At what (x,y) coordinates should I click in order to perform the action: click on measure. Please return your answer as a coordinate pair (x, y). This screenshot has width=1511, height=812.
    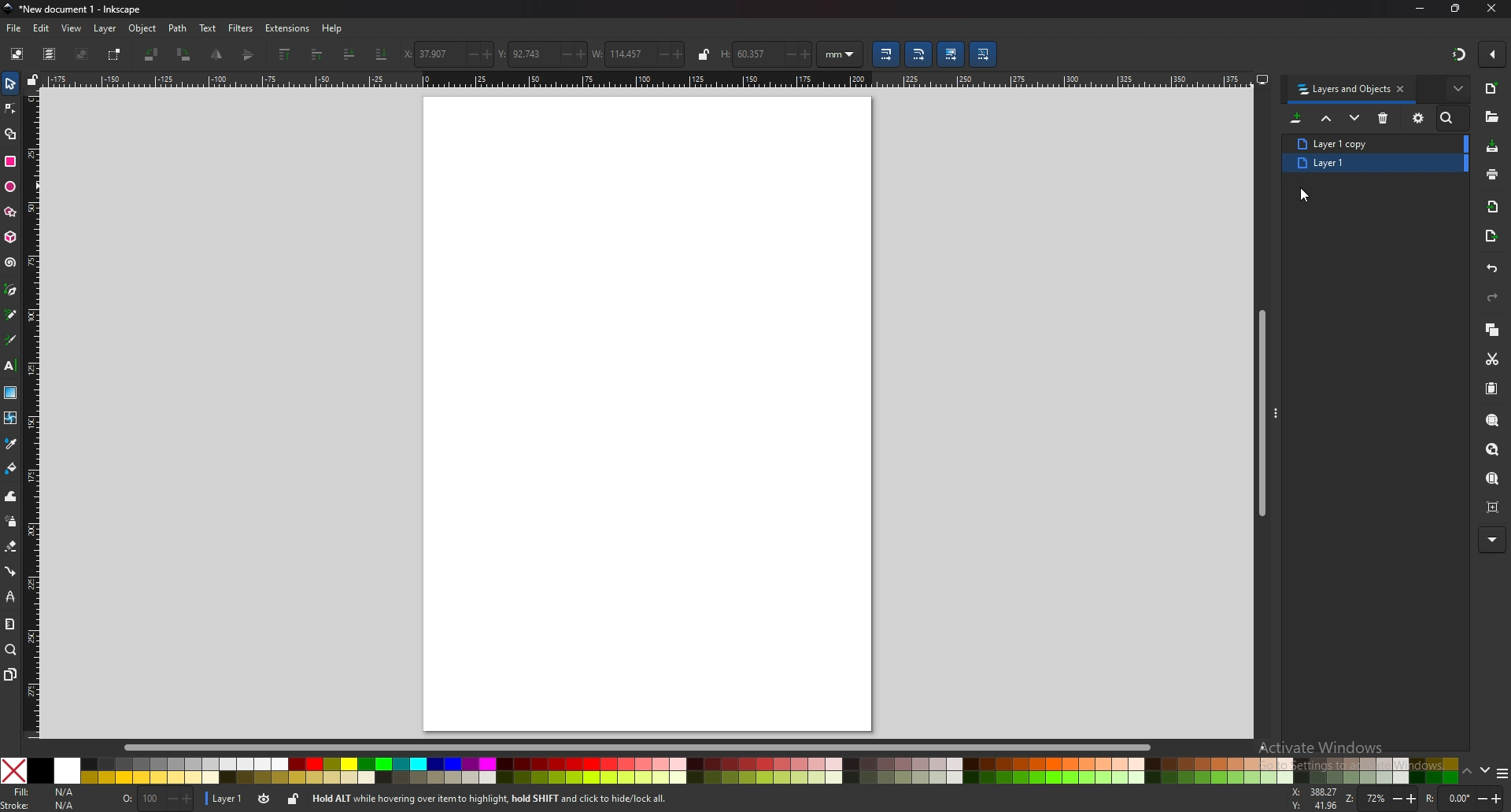
    Looking at the image, I should click on (10, 624).